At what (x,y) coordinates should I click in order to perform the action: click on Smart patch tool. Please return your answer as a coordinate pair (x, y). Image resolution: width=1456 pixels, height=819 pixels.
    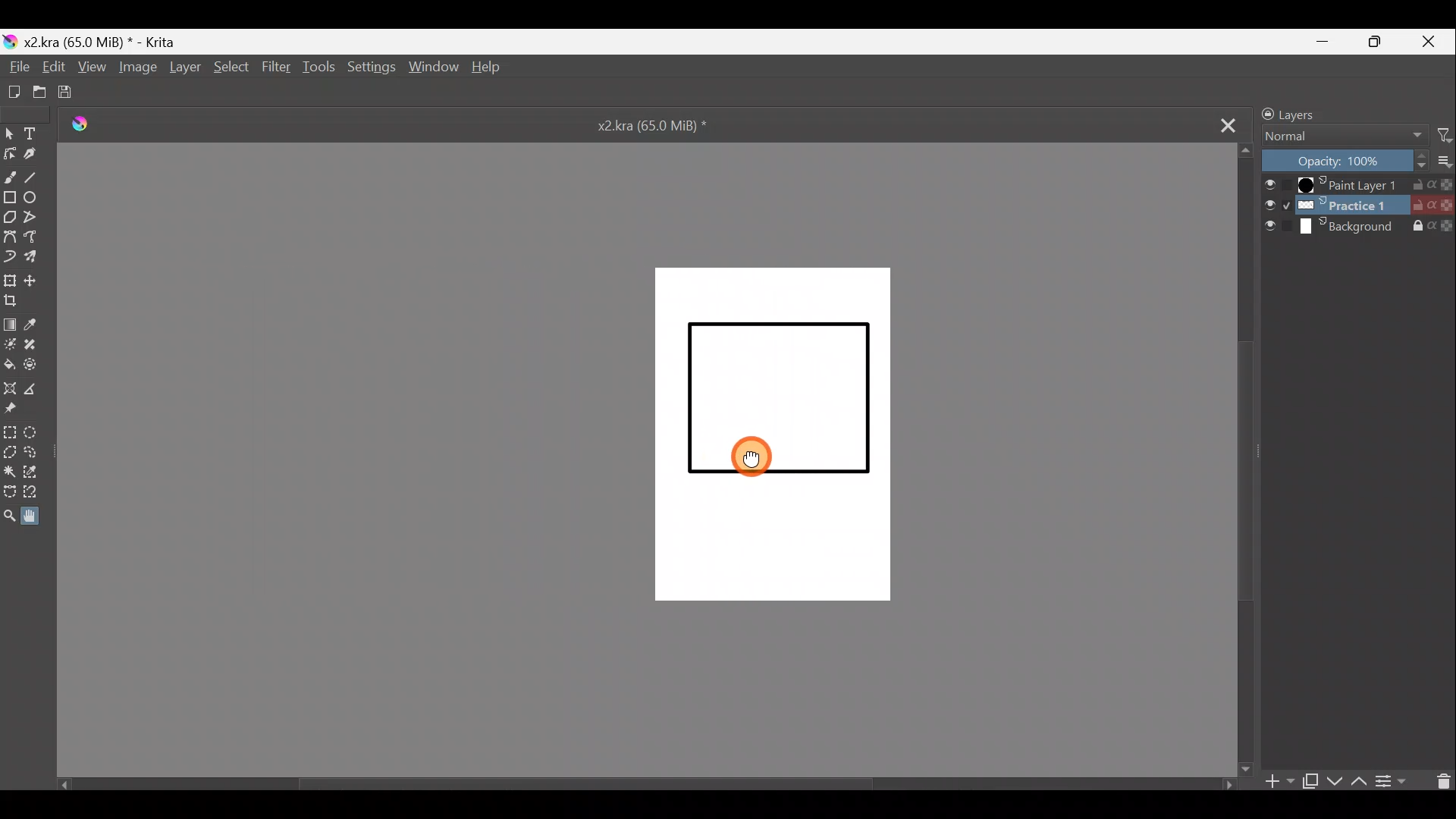
    Looking at the image, I should click on (36, 343).